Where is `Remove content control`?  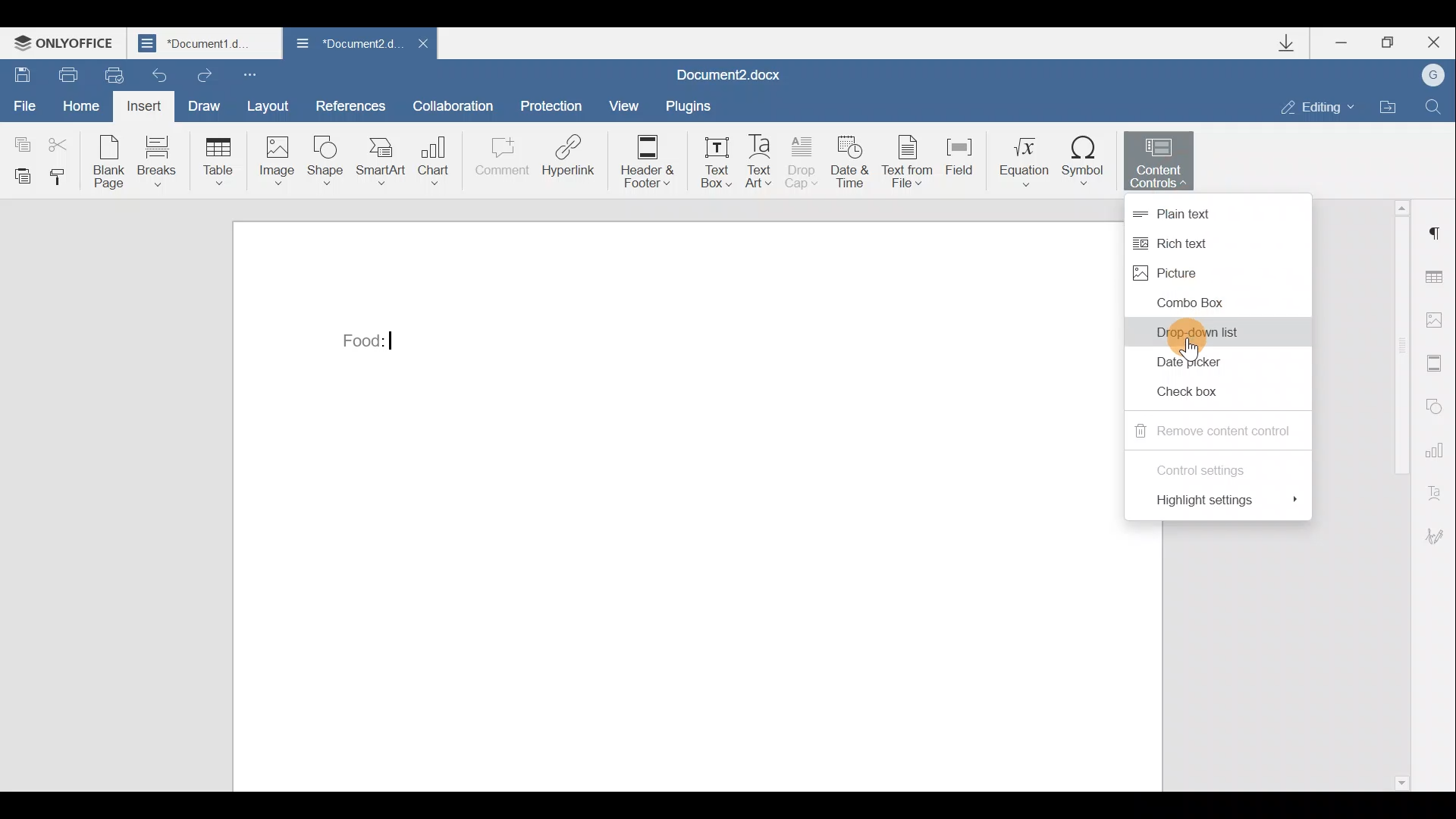
Remove content control is located at coordinates (1212, 429).